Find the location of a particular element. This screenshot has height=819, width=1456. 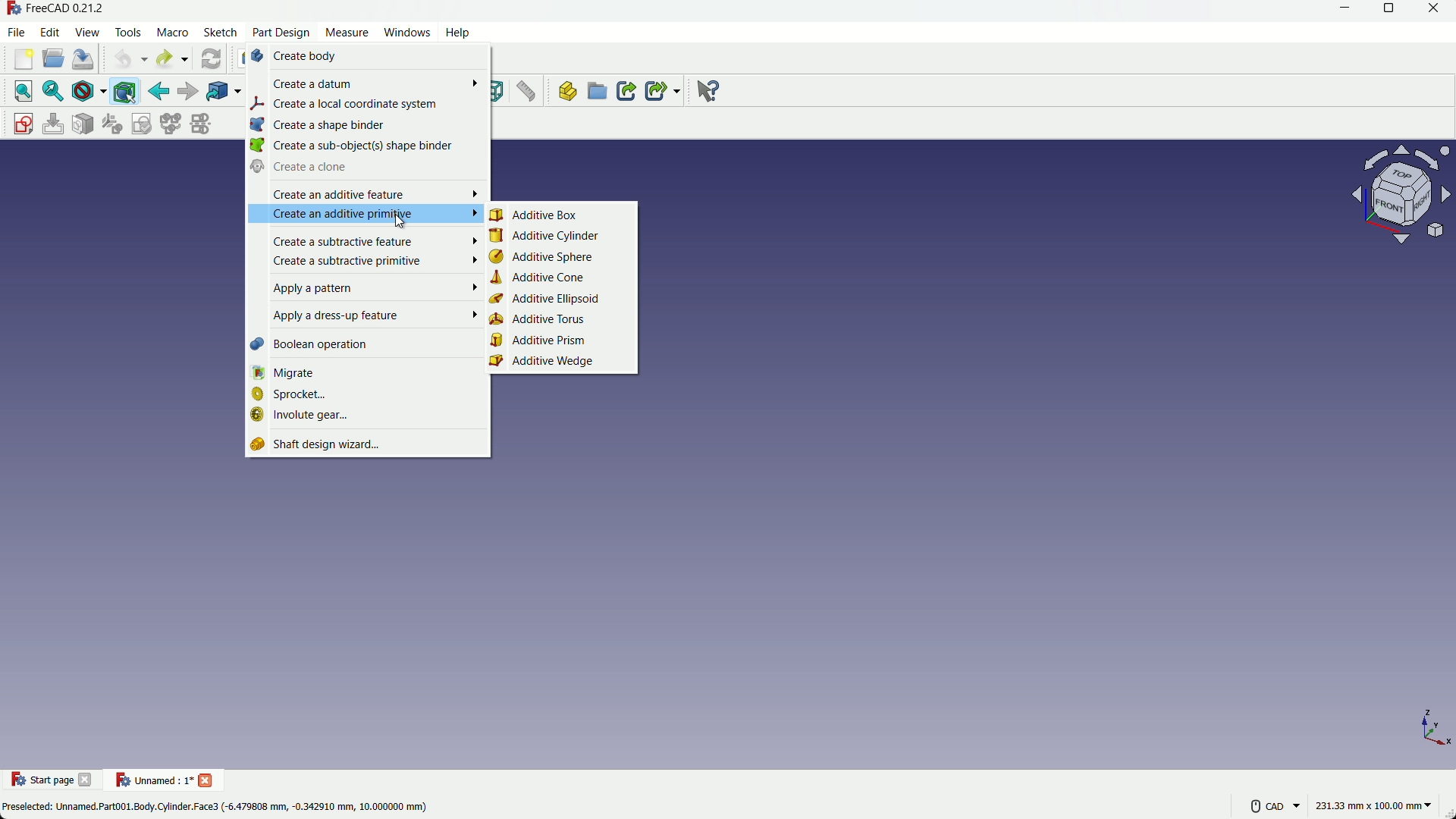

draw styles is located at coordinates (83, 92).